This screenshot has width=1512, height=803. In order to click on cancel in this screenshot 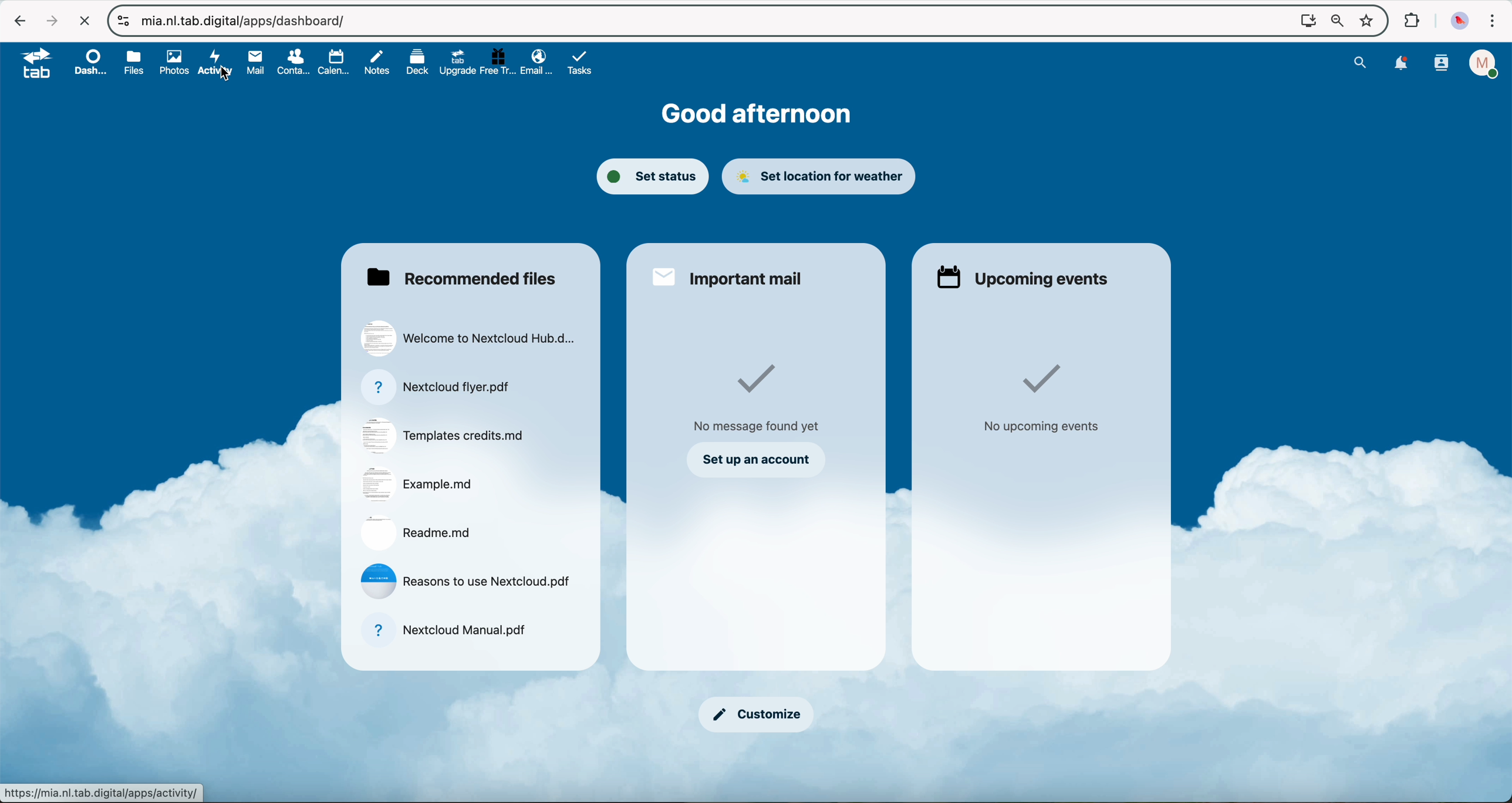, I will do `click(85, 22)`.